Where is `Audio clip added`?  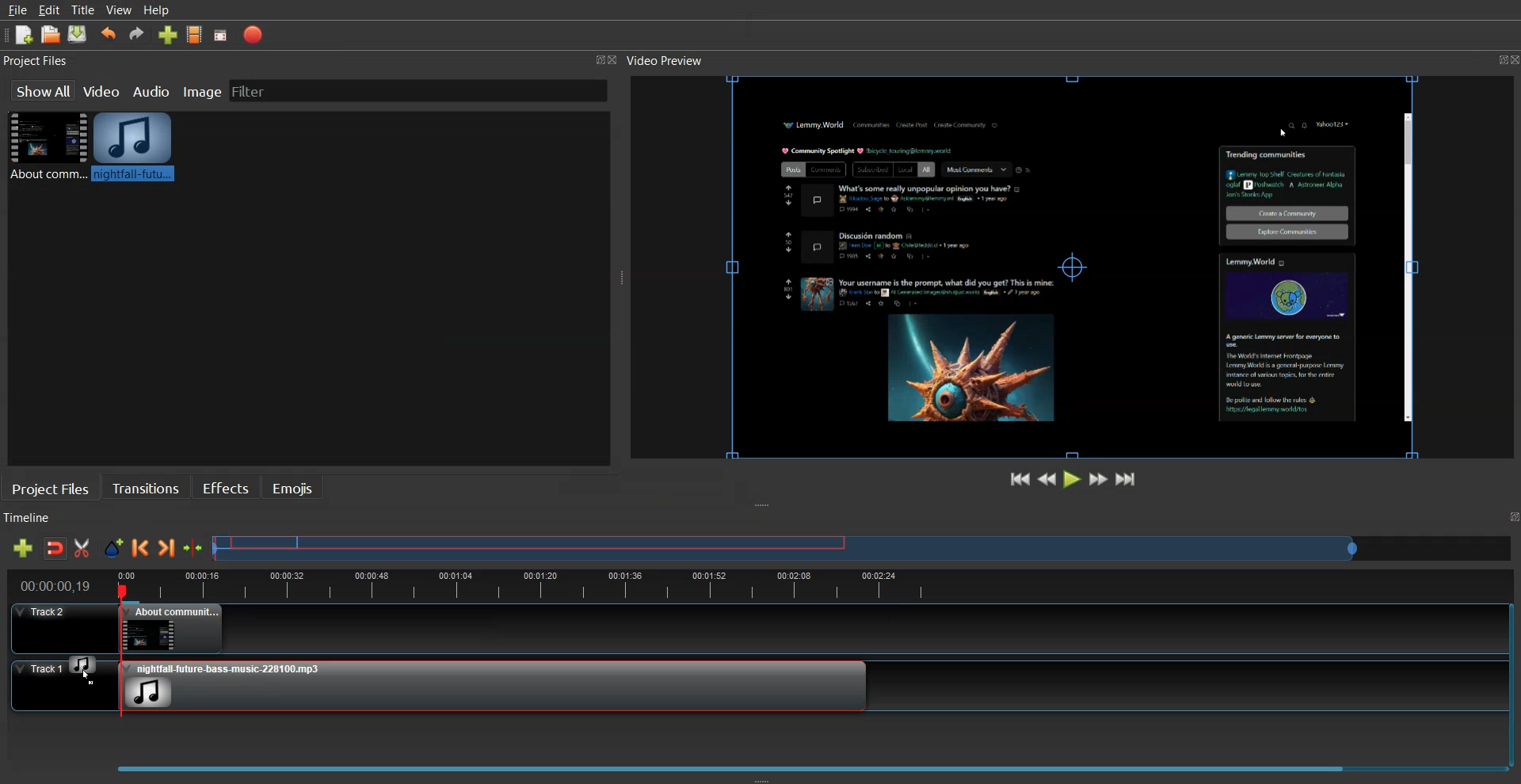
Audio clip added is located at coordinates (494, 685).